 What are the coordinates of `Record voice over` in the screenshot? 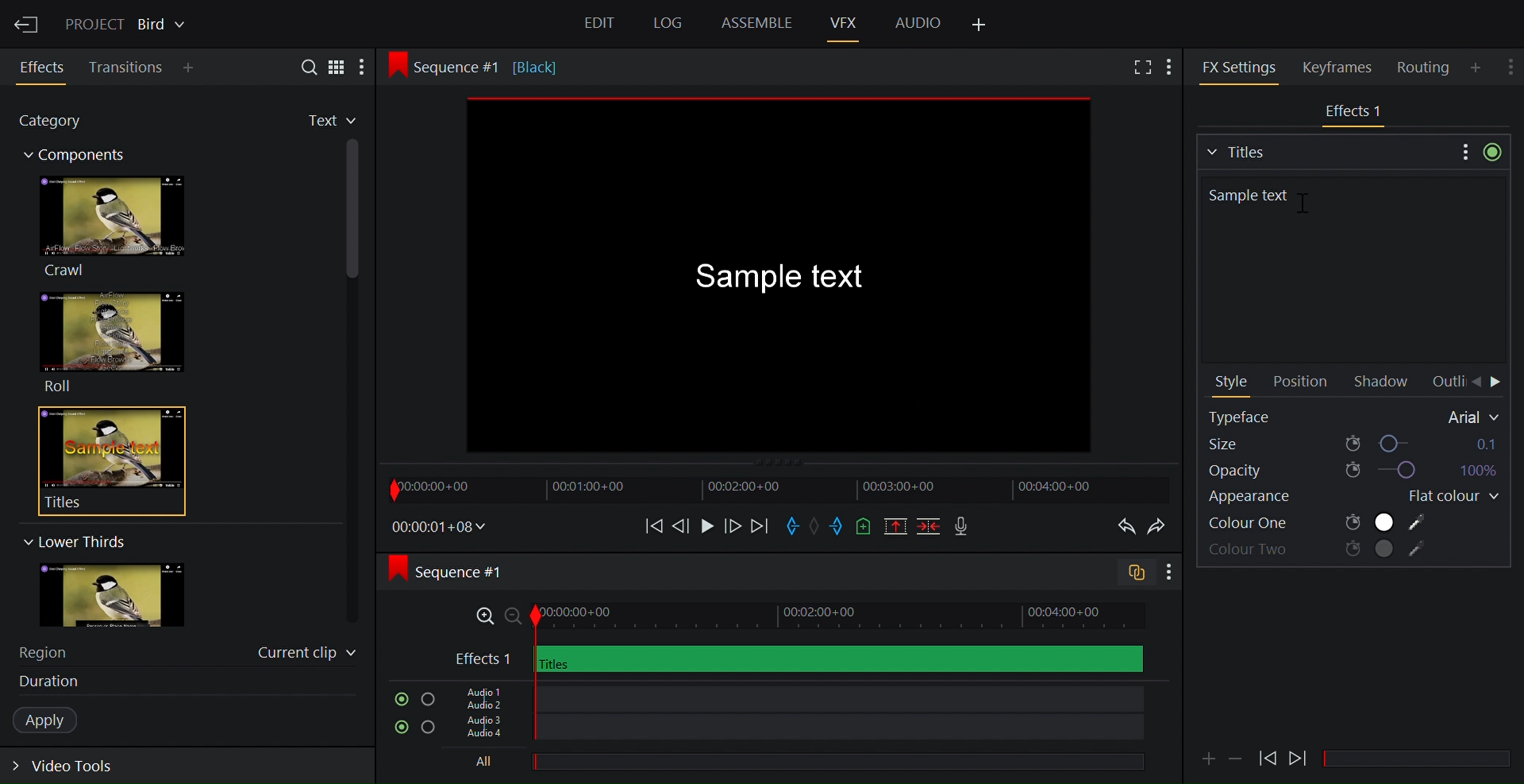 It's located at (963, 527).